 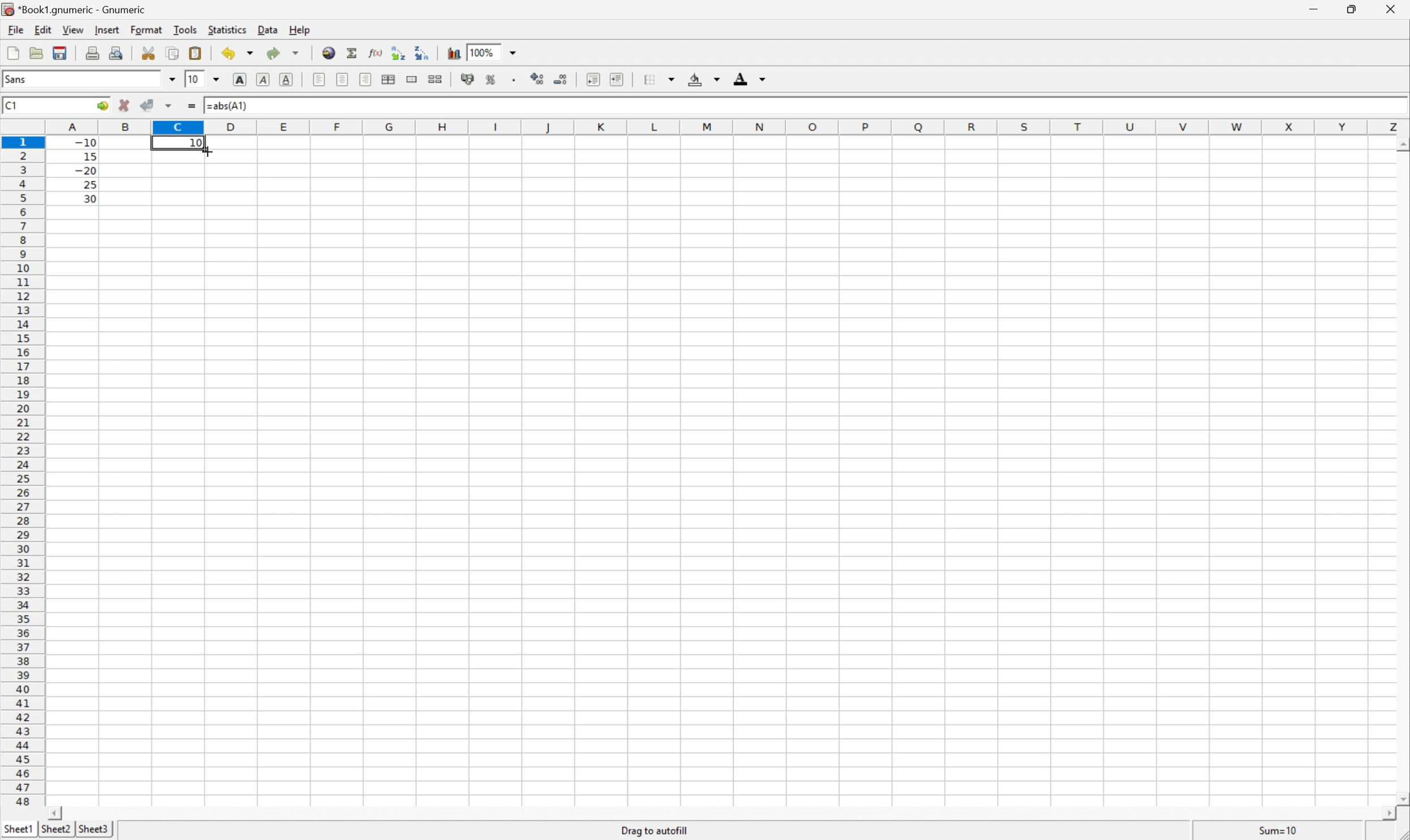 What do you see at coordinates (1389, 11) in the screenshot?
I see `close` at bounding box center [1389, 11].